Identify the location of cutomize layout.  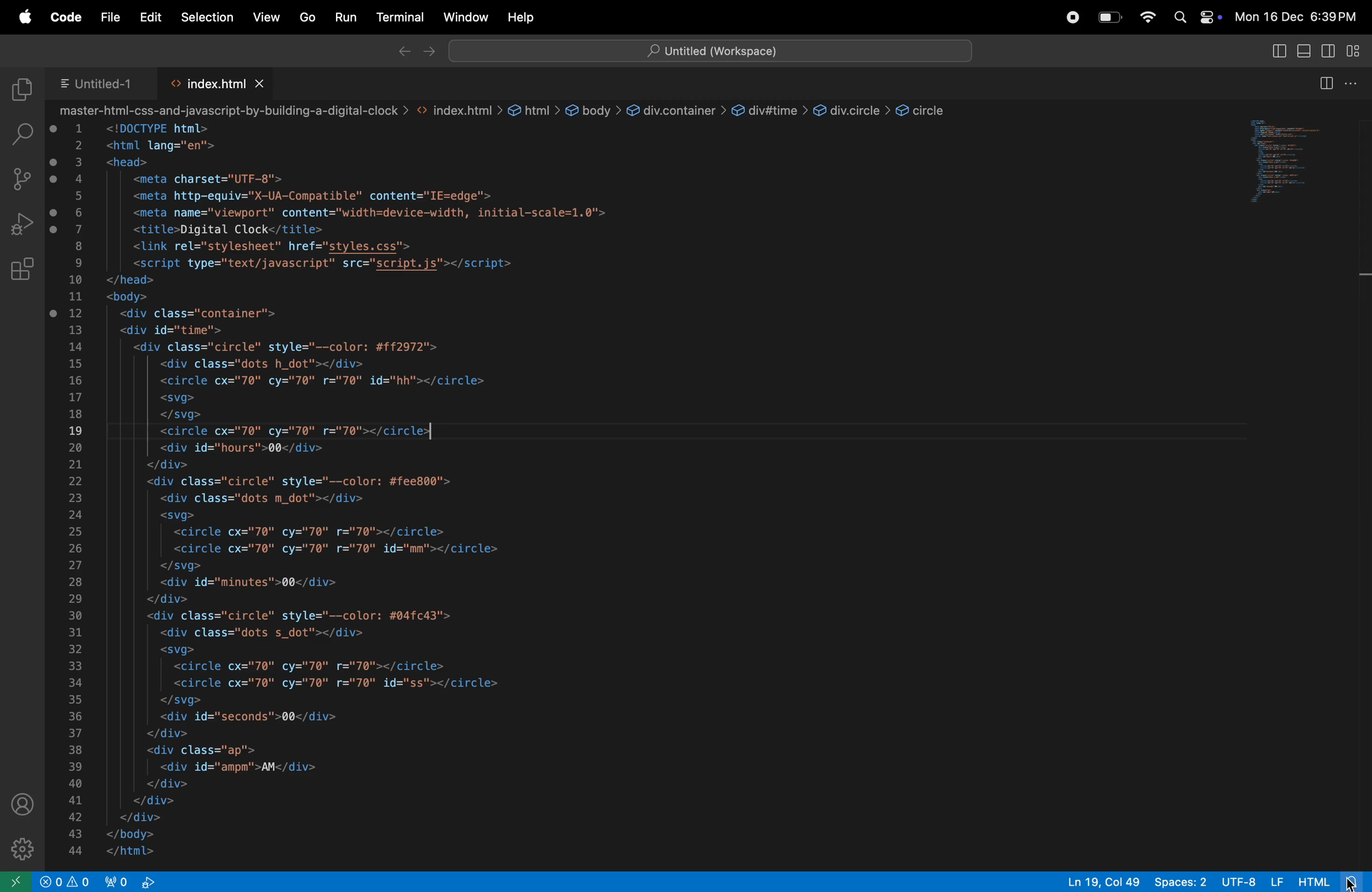
(1358, 52).